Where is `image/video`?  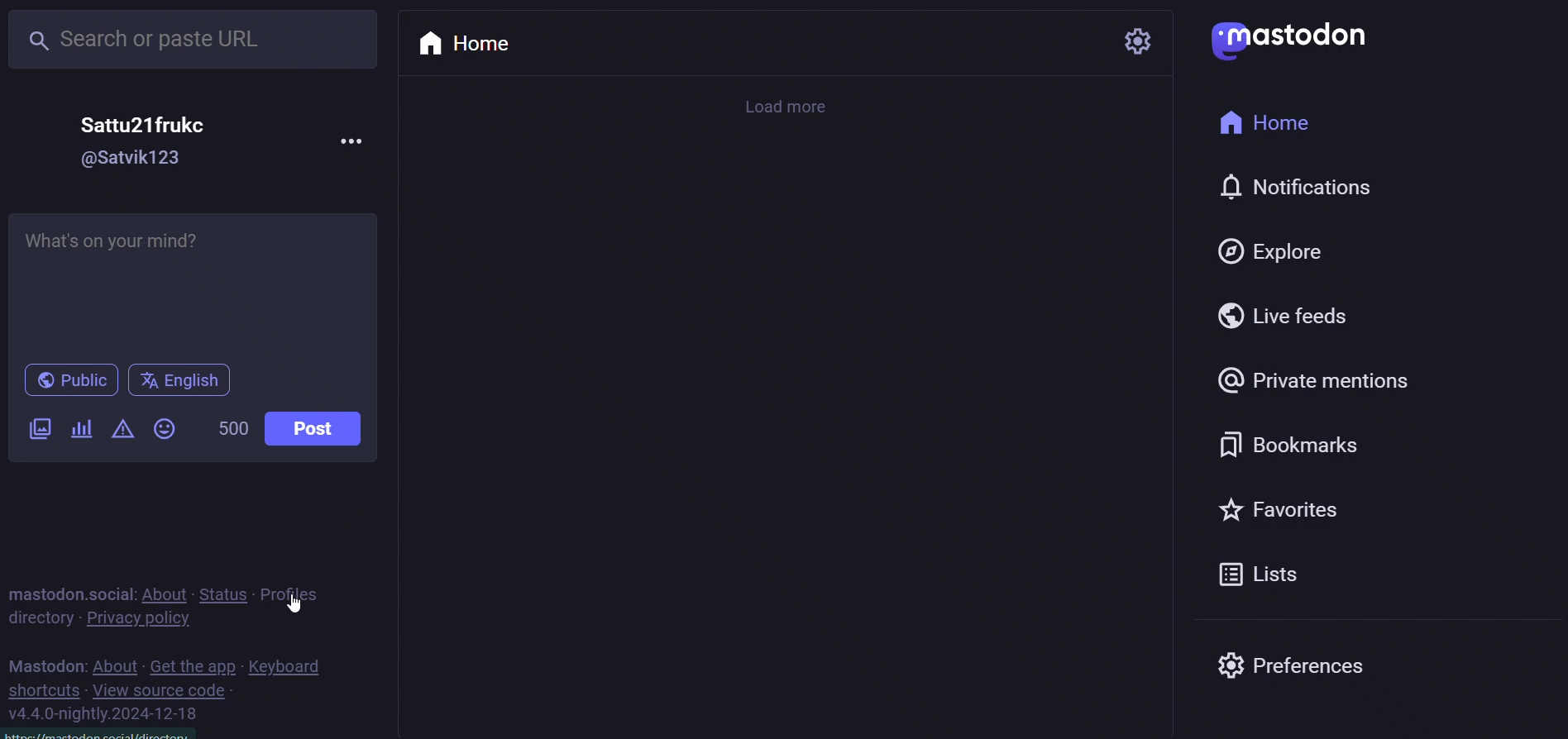
image/video is located at coordinates (39, 429).